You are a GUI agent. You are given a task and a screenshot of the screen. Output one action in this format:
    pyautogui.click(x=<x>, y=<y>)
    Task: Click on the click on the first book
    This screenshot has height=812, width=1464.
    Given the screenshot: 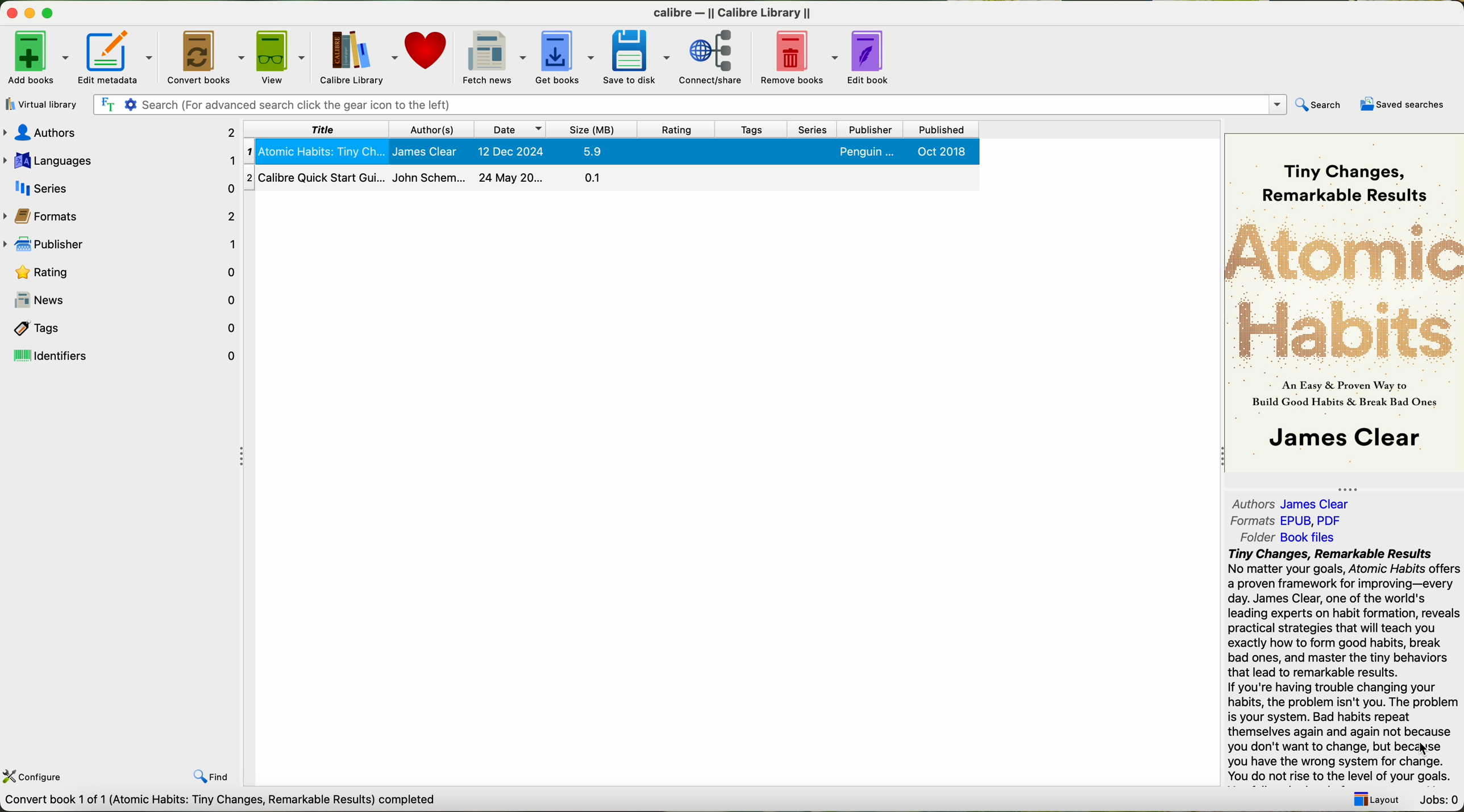 What is the action you would take?
    pyautogui.click(x=610, y=152)
    